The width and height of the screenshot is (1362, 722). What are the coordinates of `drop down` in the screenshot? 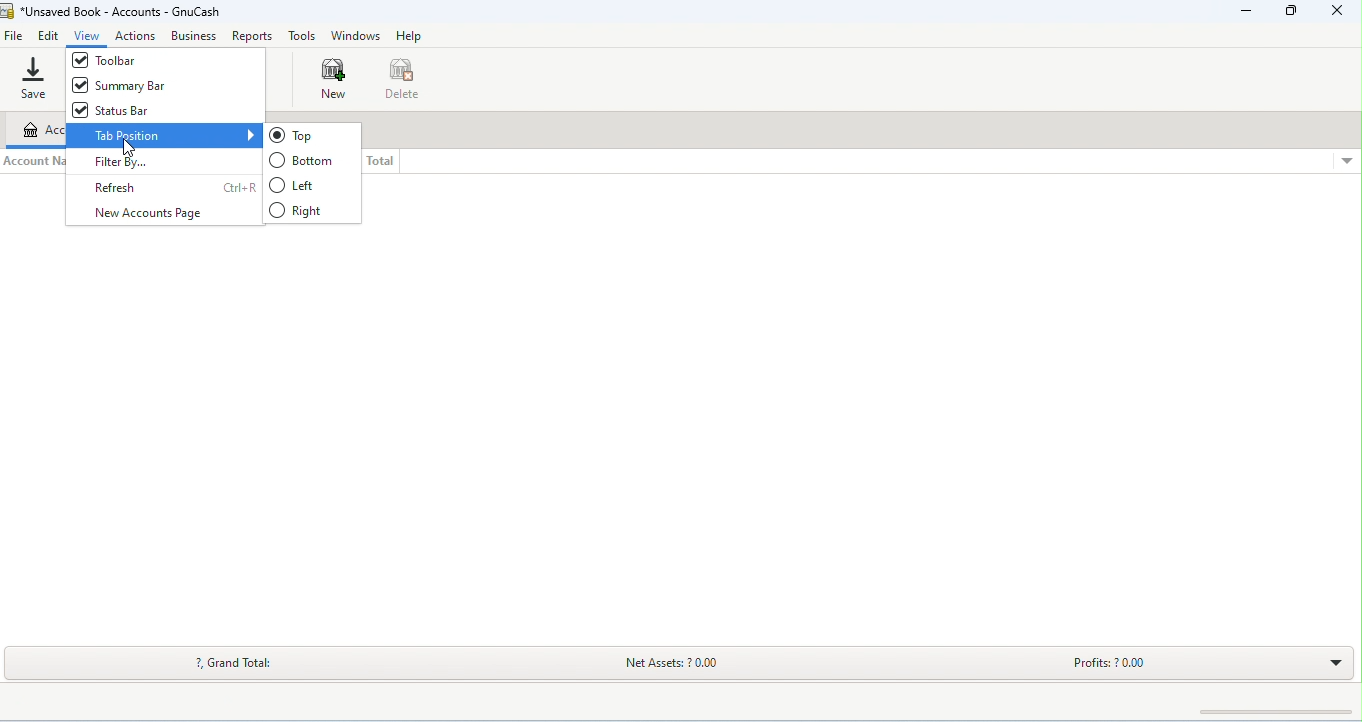 It's located at (1345, 161).